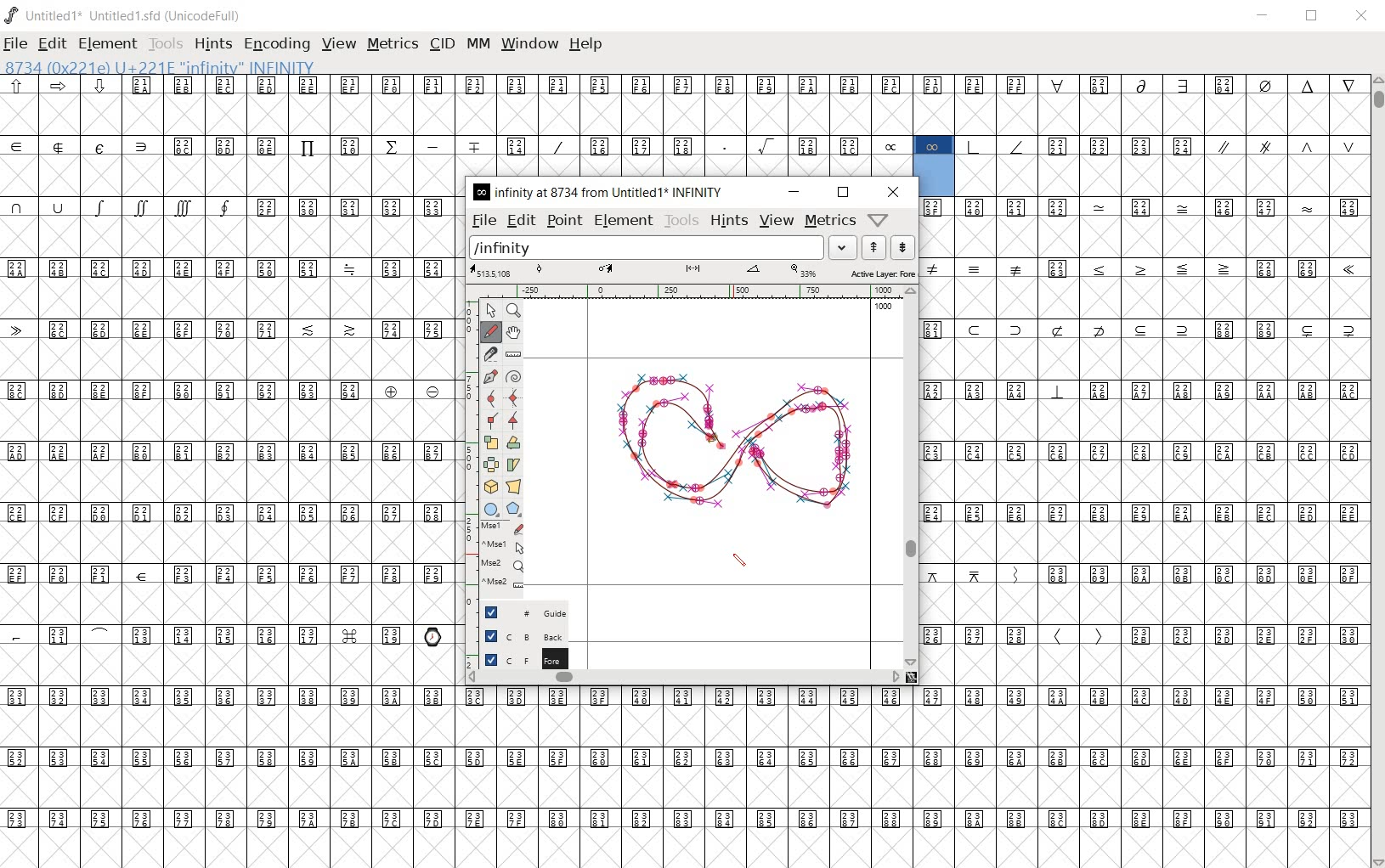  What do you see at coordinates (234, 358) in the screenshot?
I see `empty glyph slots` at bounding box center [234, 358].